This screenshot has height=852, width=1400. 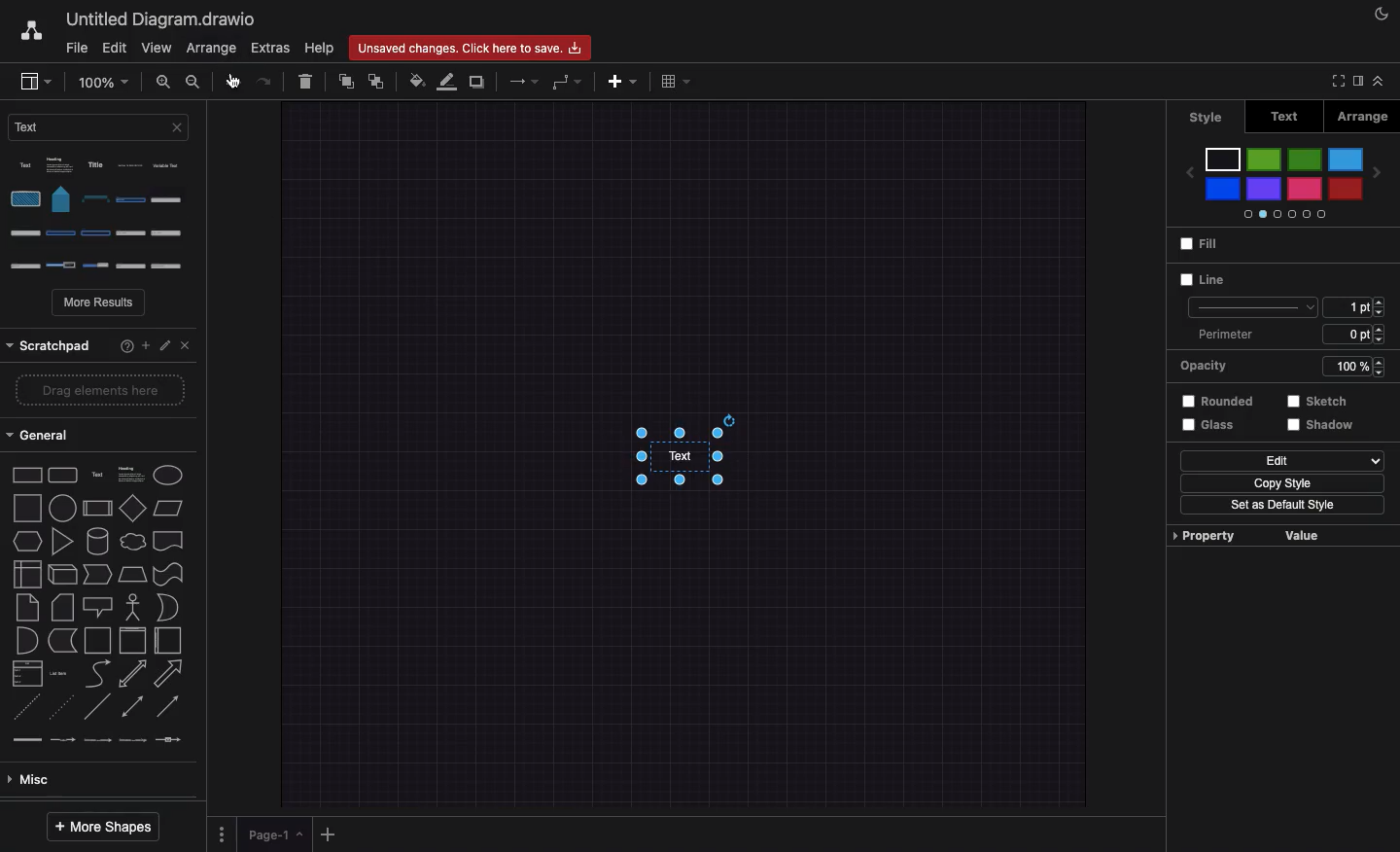 What do you see at coordinates (1212, 400) in the screenshot?
I see `Rounded` at bounding box center [1212, 400].